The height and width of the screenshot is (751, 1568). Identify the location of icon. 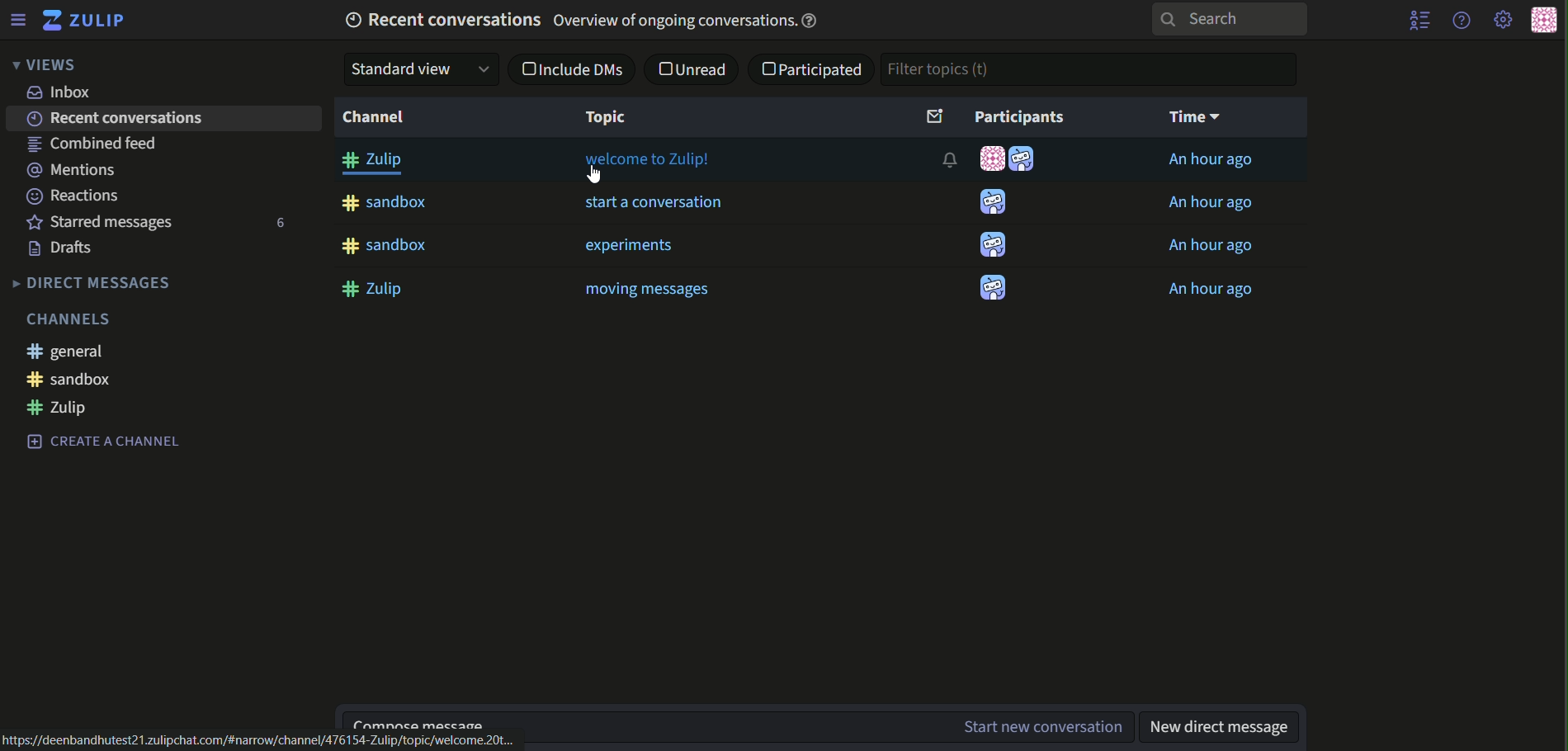
(1027, 160).